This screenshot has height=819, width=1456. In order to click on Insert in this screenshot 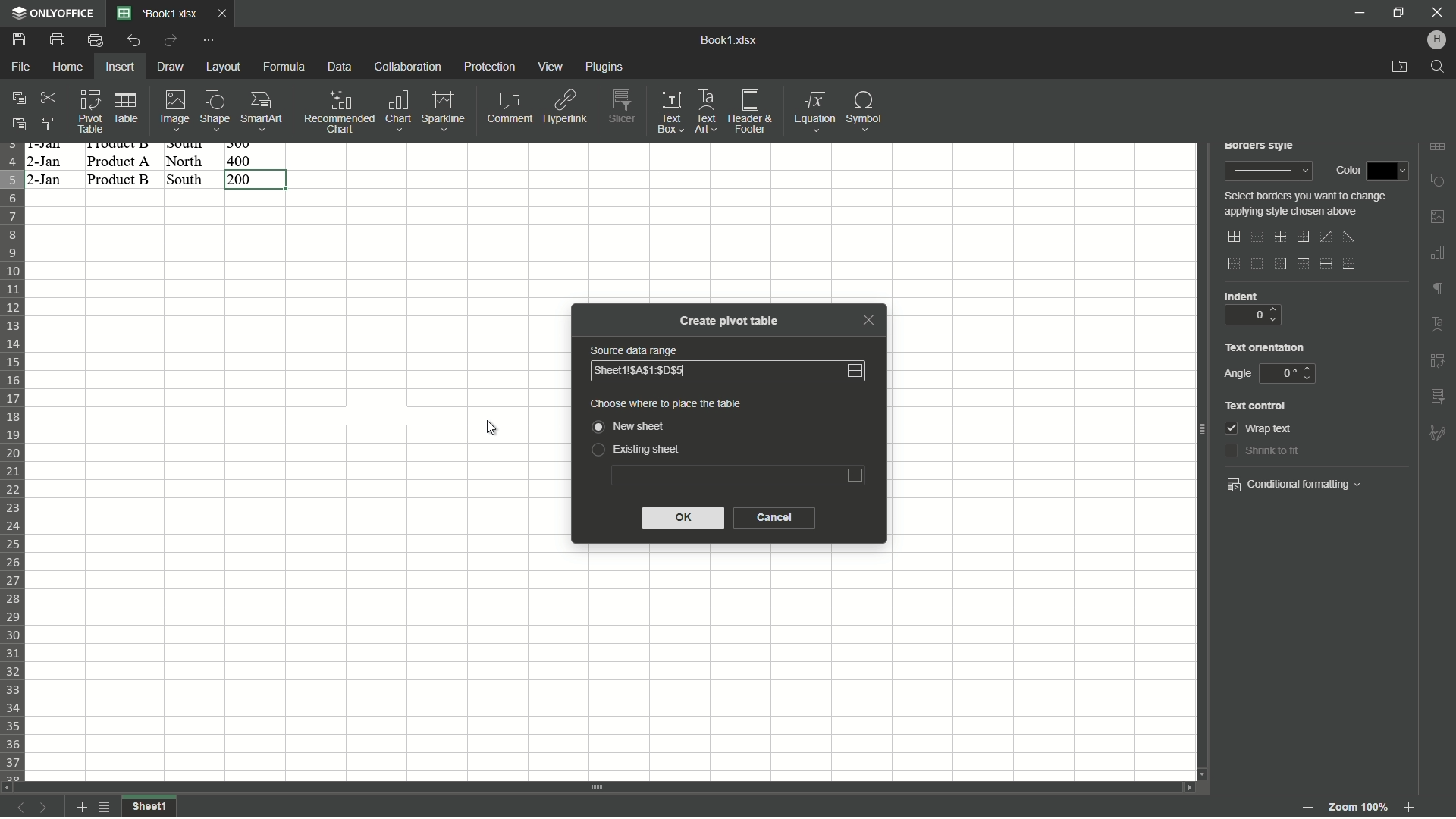, I will do `click(120, 67)`.